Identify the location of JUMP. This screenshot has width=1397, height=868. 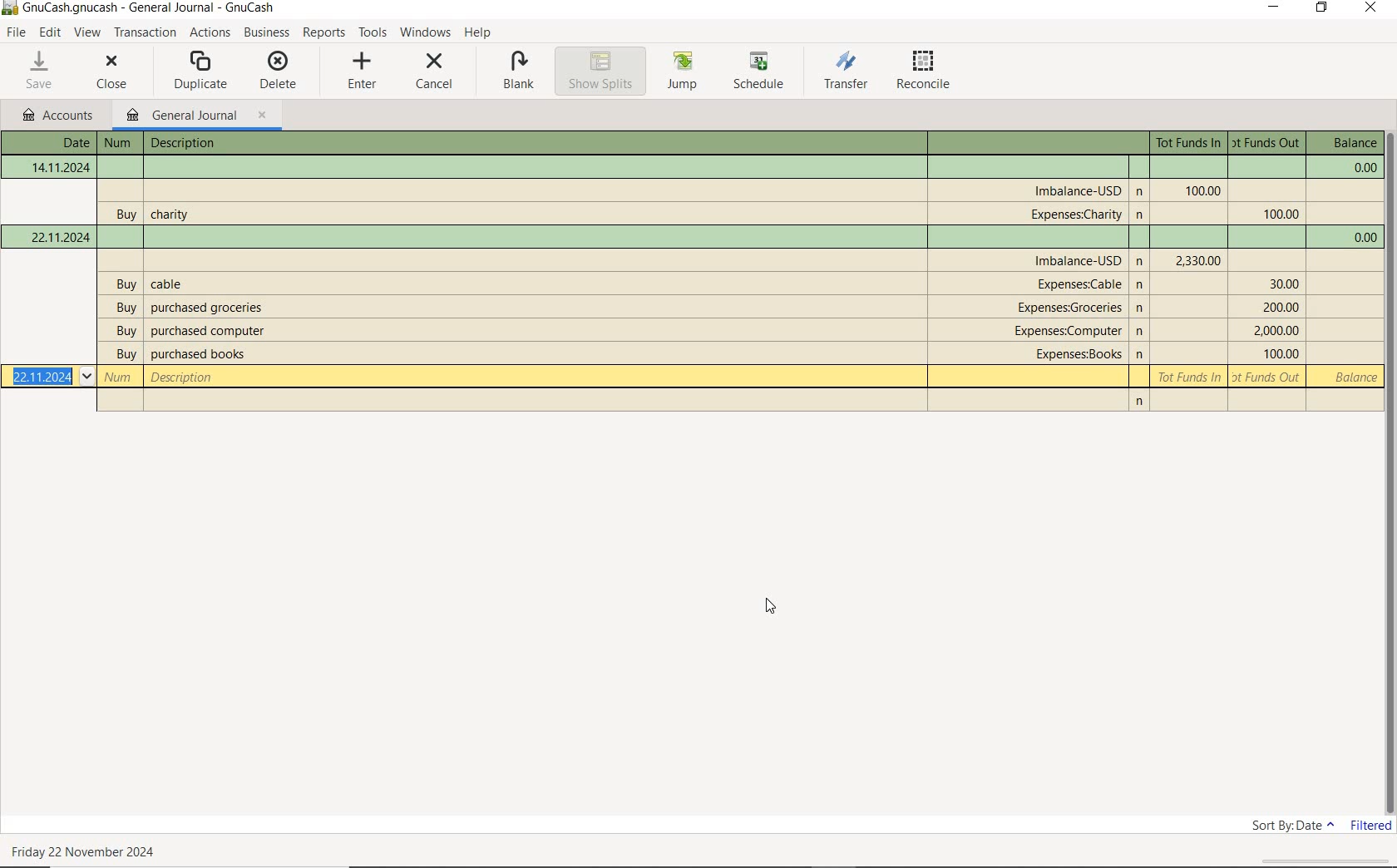
(683, 70).